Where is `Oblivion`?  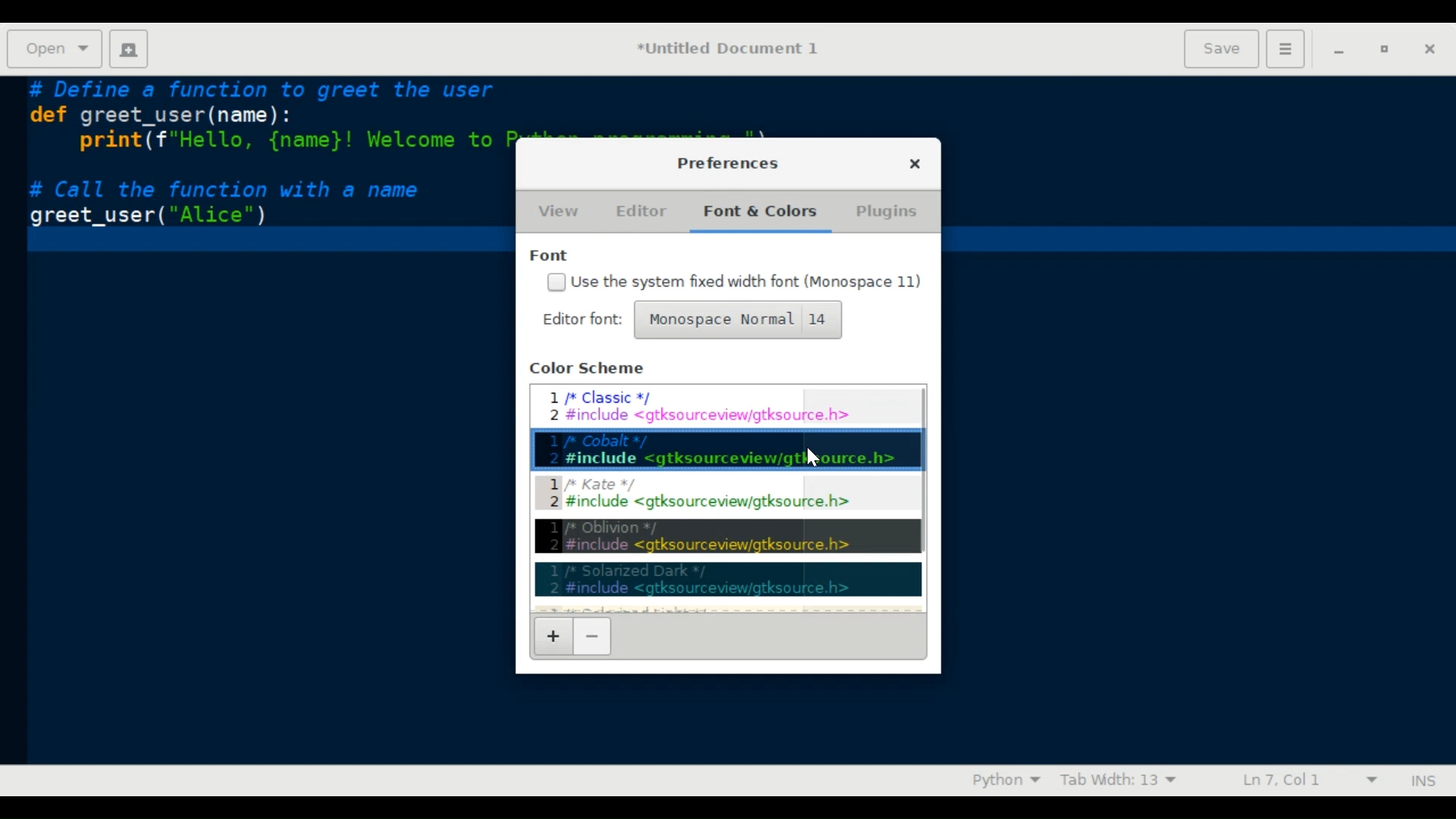
Oblivion is located at coordinates (729, 537).